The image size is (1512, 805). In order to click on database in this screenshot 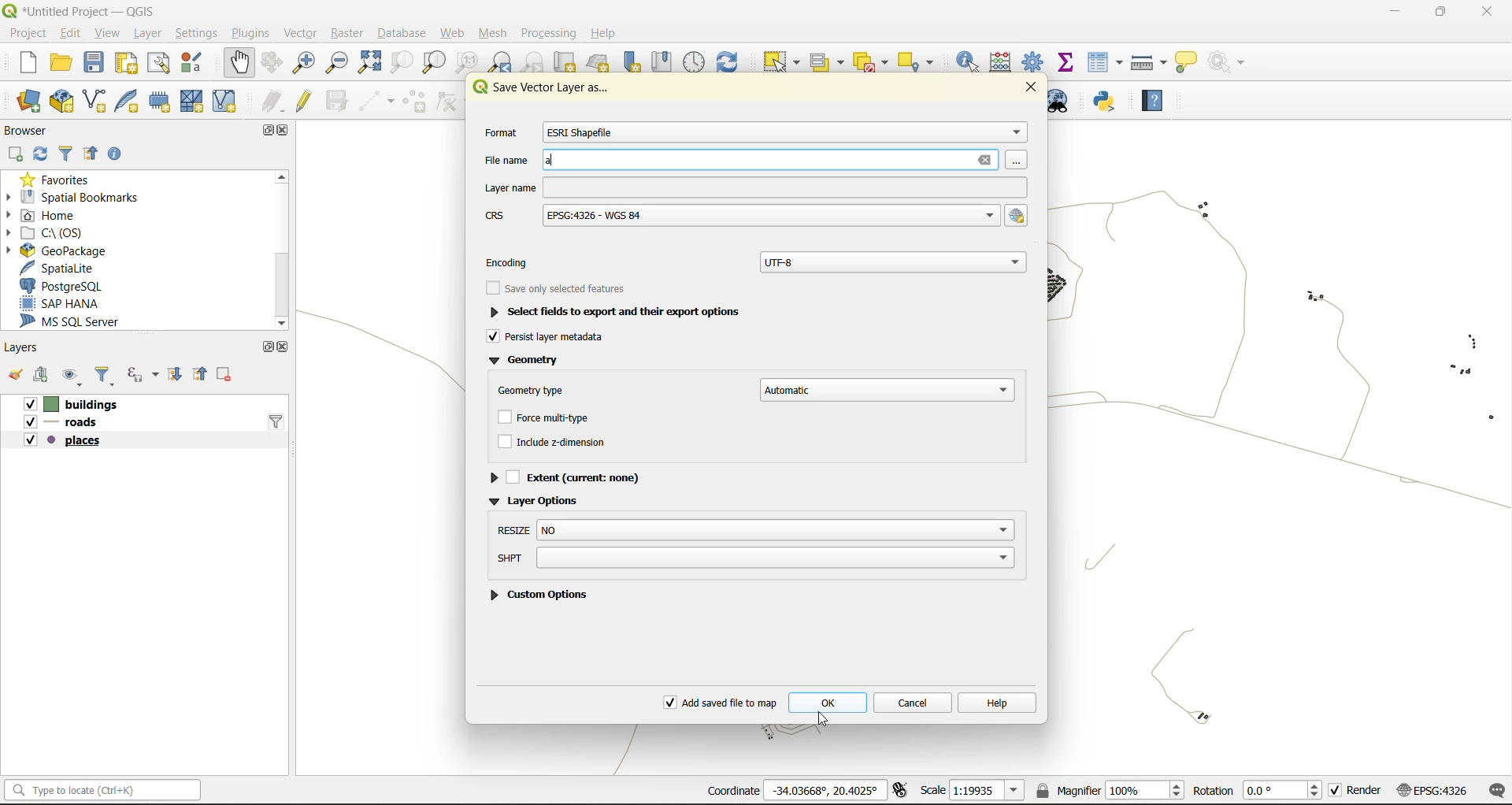, I will do `click(406, 32)`.